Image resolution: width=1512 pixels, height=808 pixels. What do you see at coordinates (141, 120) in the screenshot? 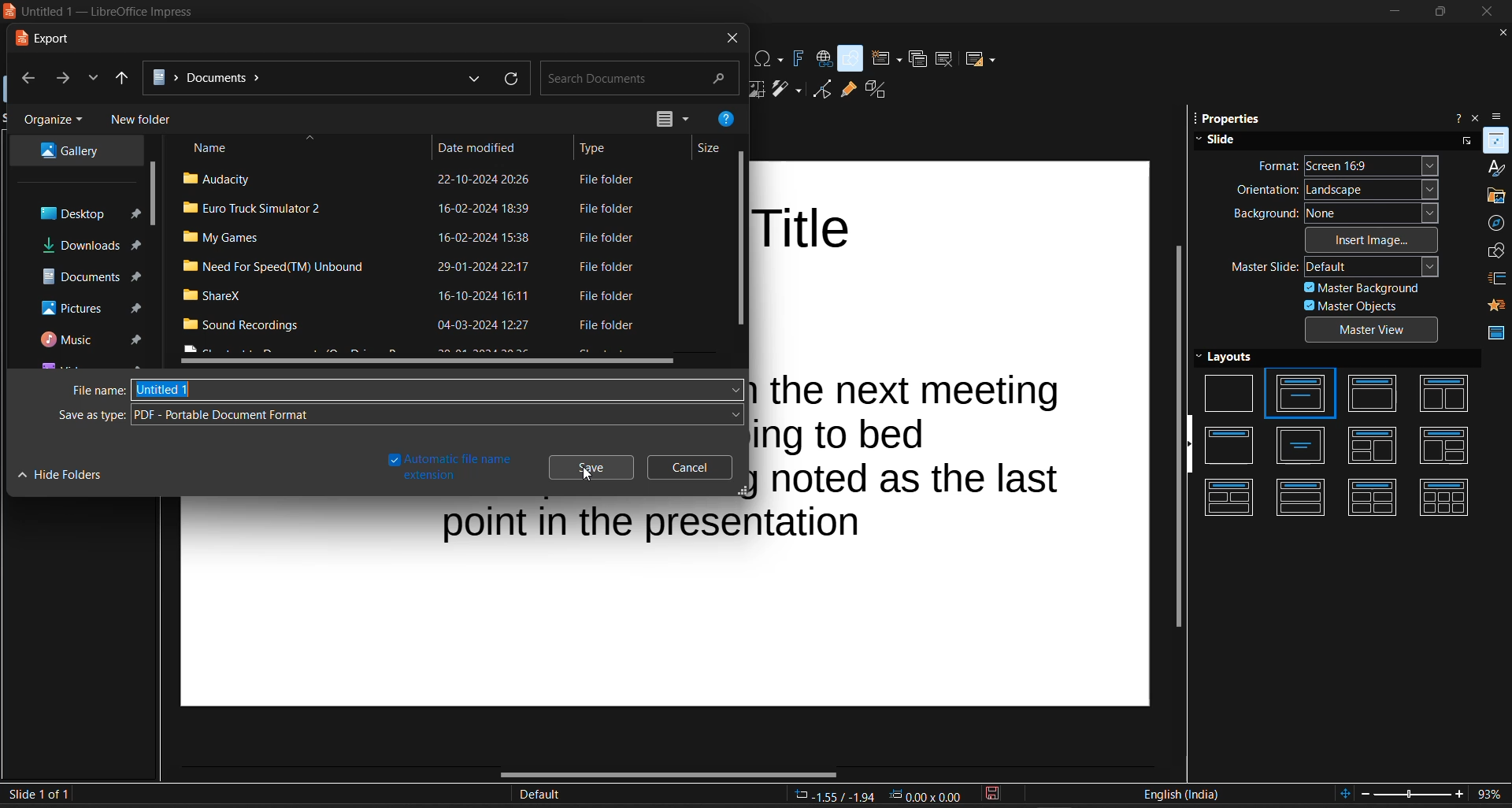
I see `new folder` at bounding box center [141, 120].